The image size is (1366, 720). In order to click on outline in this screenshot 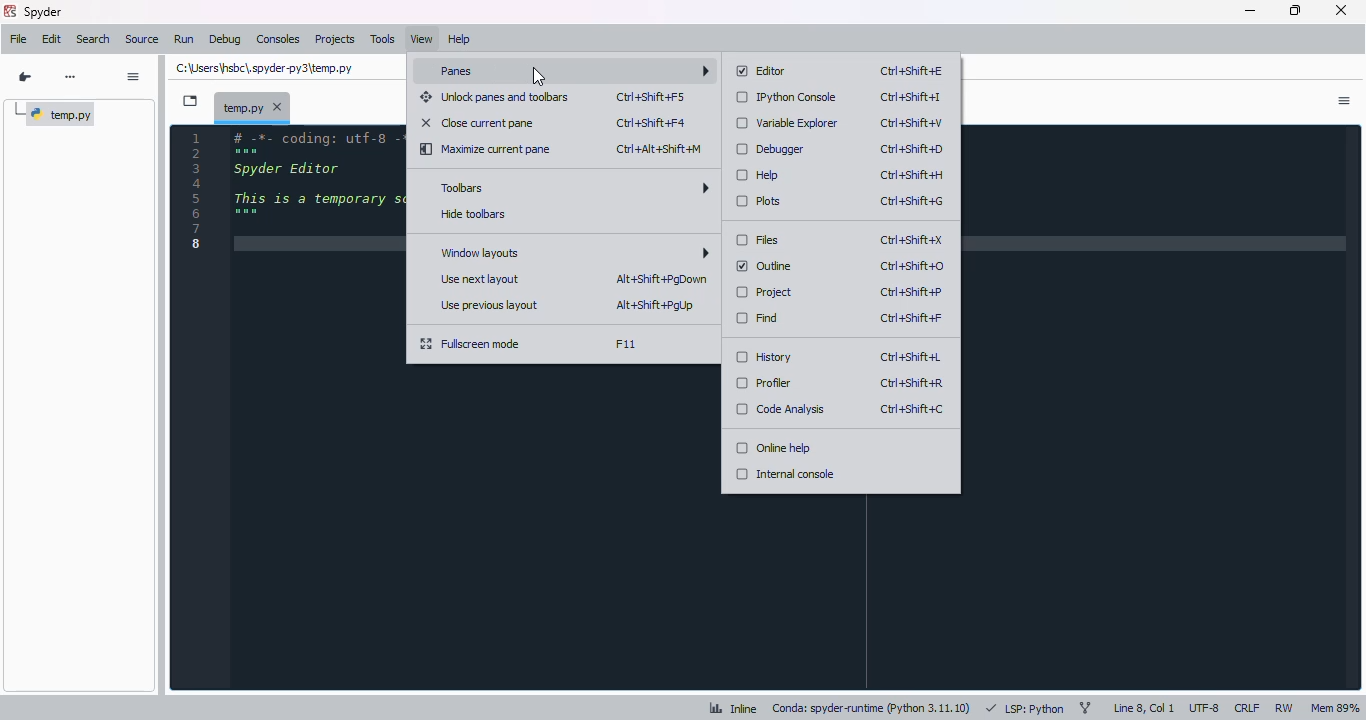, I will do `click(765, 266)`.